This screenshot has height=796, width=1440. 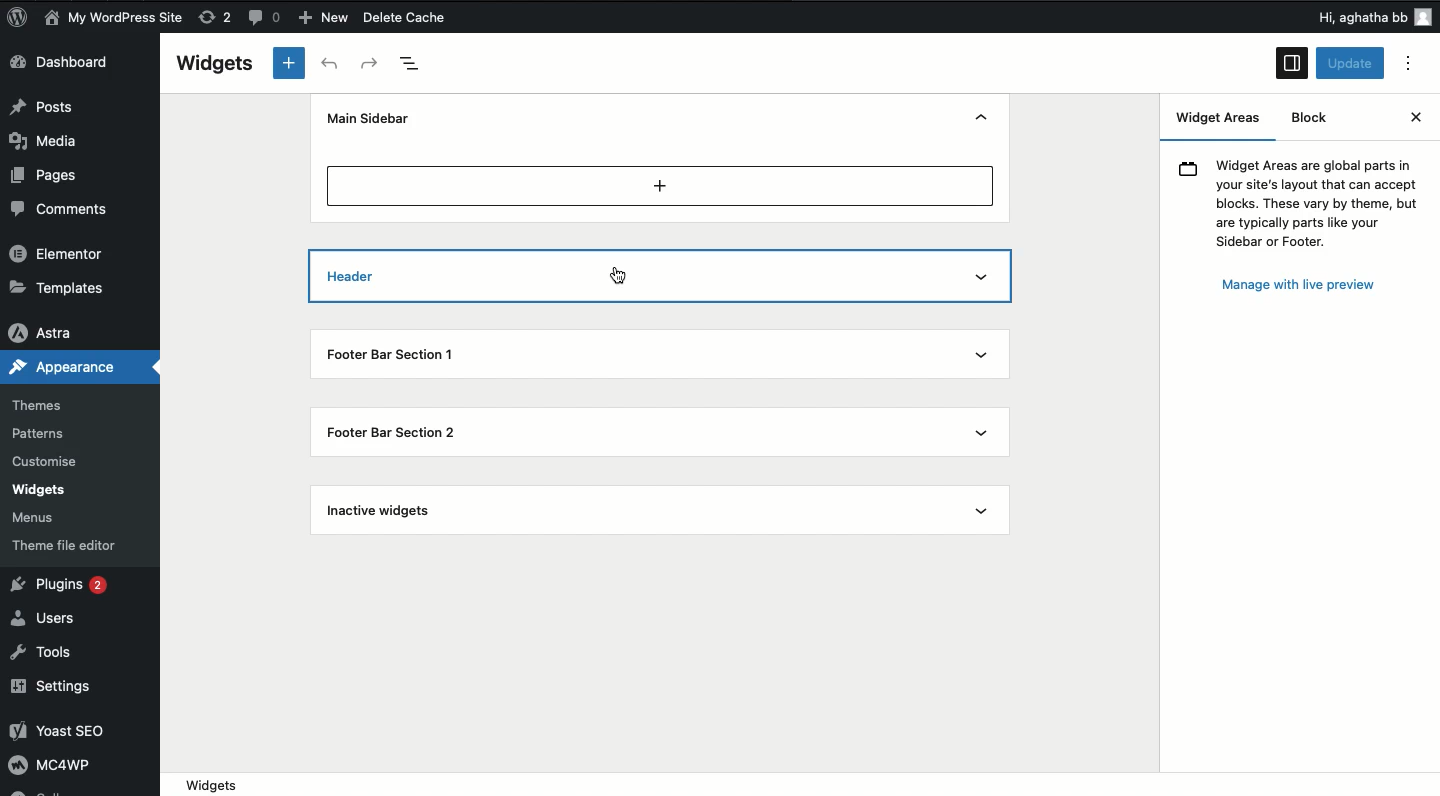 I want to click on , so click(x=267, y=20).